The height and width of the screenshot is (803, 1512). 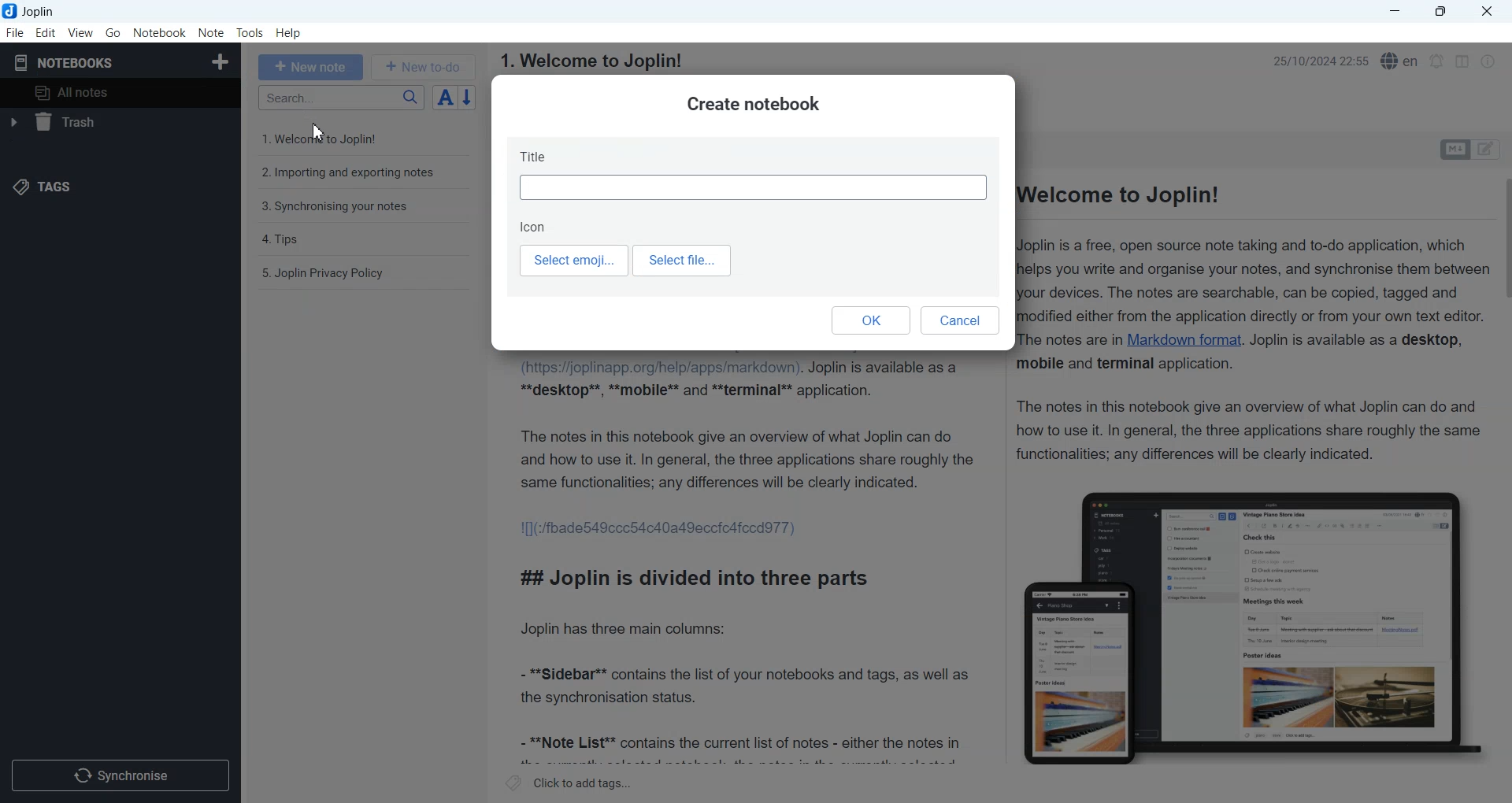 What do you see at coordinates (120, 774) in the screenshot?
I see `Synchronize` at bounding box center [120, 774].